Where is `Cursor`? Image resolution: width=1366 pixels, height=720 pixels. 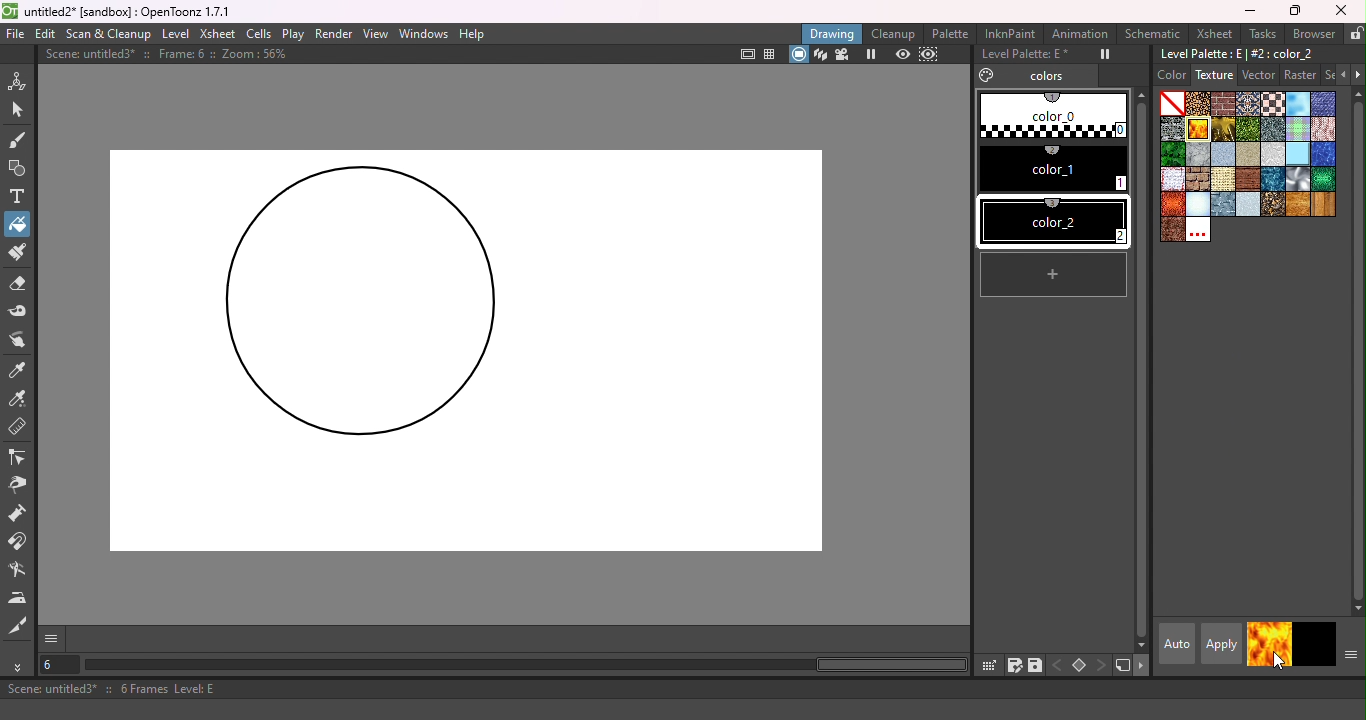 Cursor is located at coordinates (37, 225).